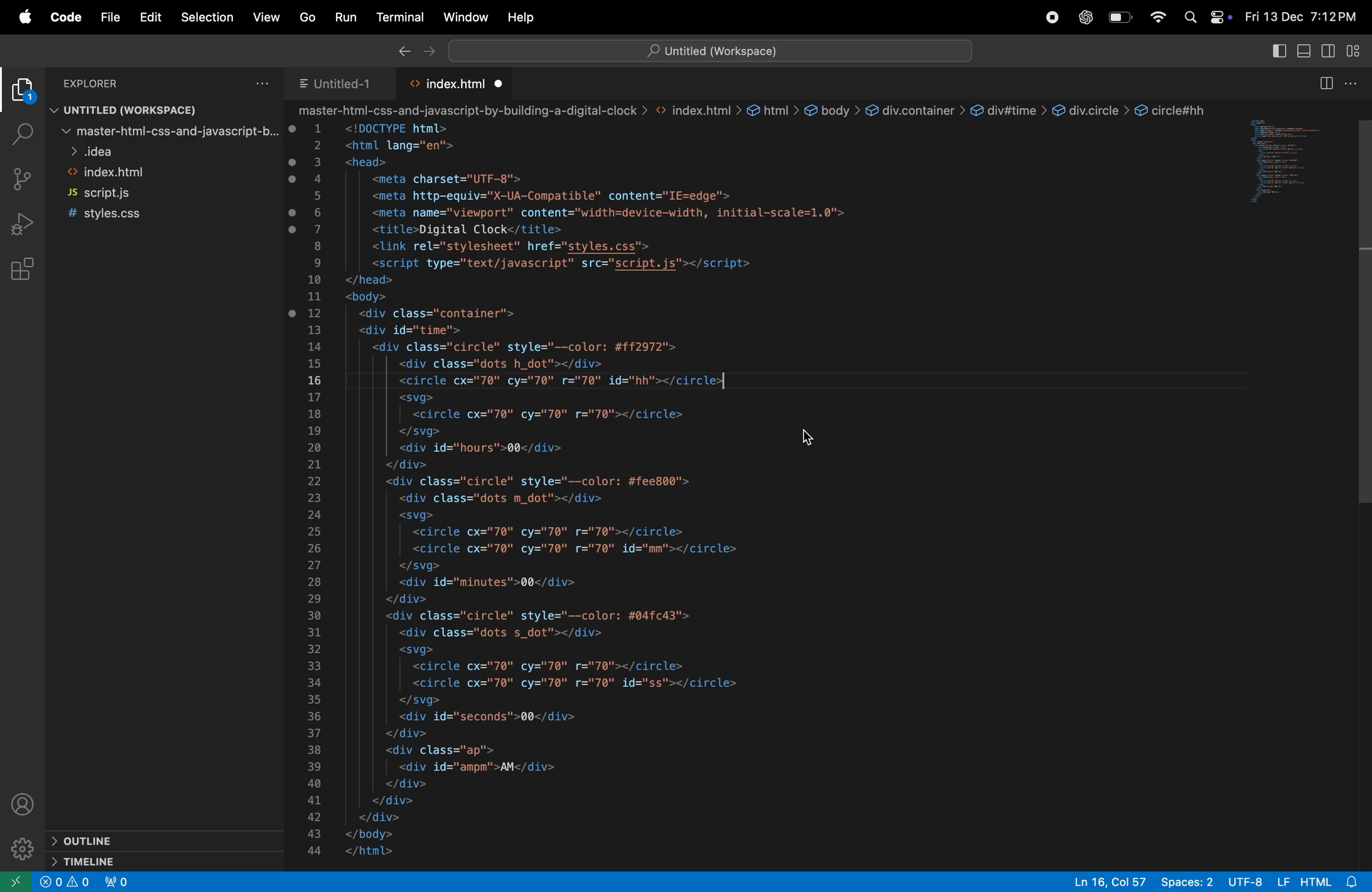 This screenshot has width=1372, height=892. What do you see at coordinates (1157, 17) in the screenshot?
I see `wifi` at bounding box center [1157, 17].